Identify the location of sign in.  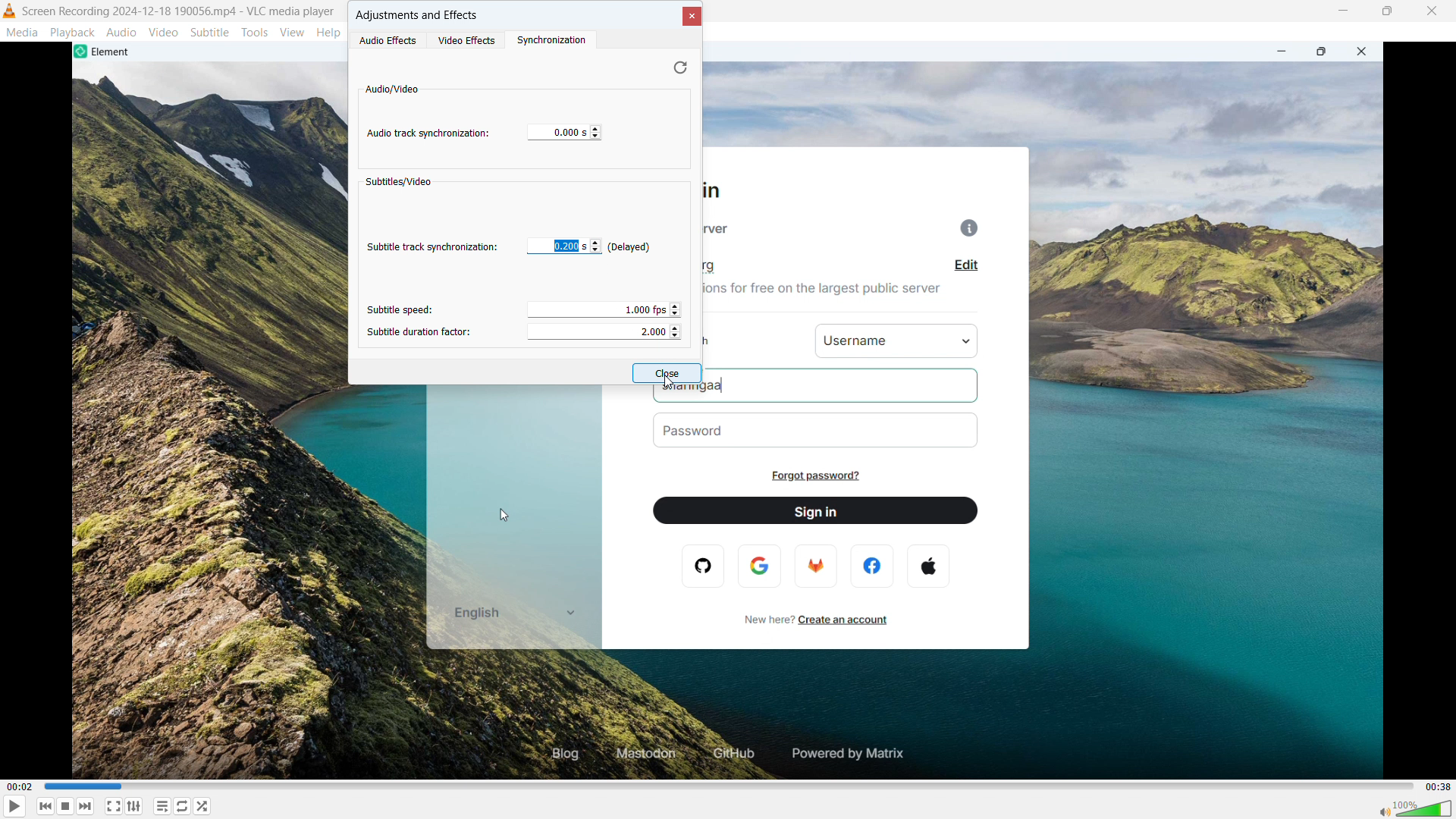
(722, 192).